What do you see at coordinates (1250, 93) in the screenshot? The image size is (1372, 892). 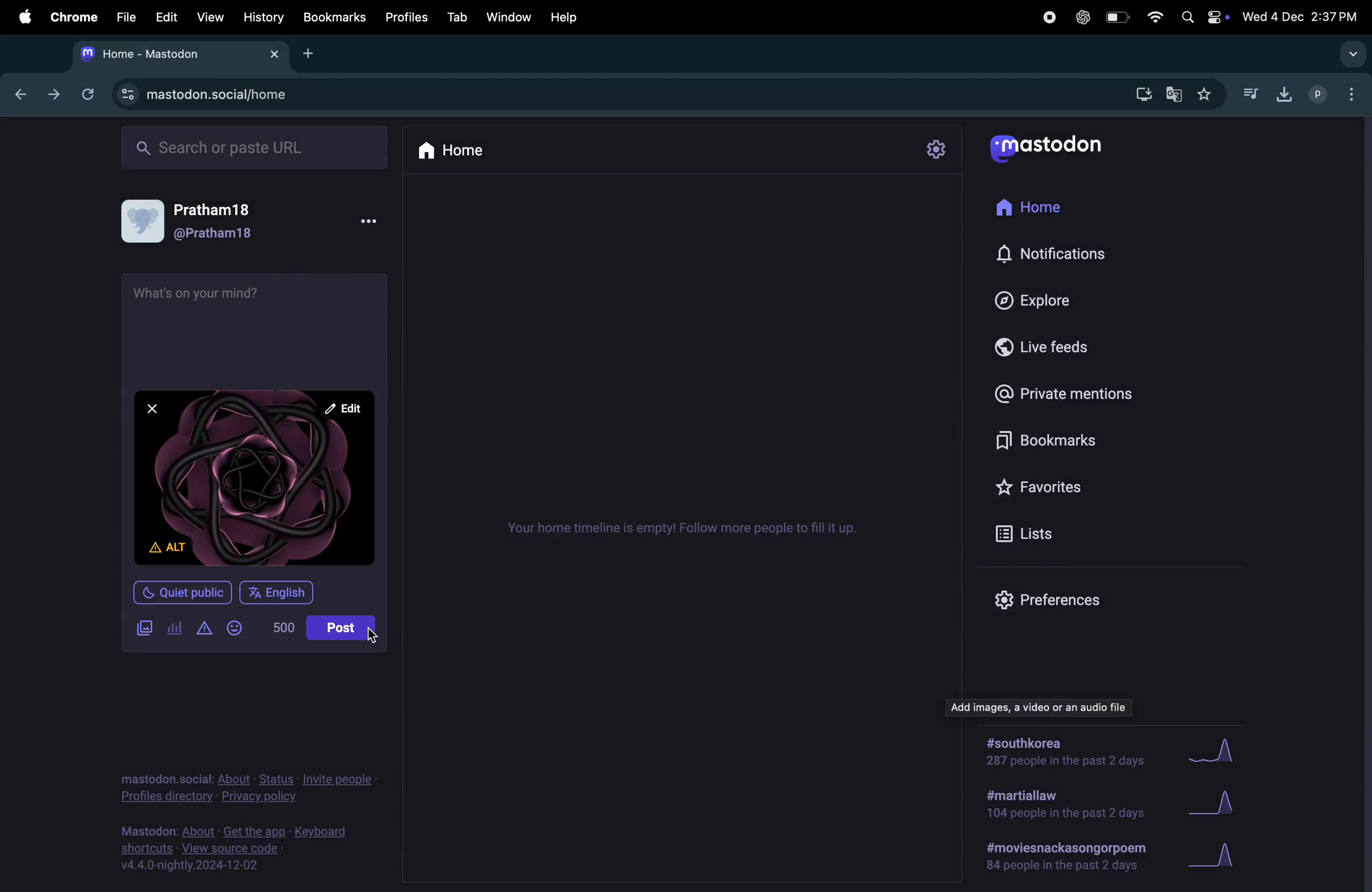 I see `music` at bounding box center [1250, 93].